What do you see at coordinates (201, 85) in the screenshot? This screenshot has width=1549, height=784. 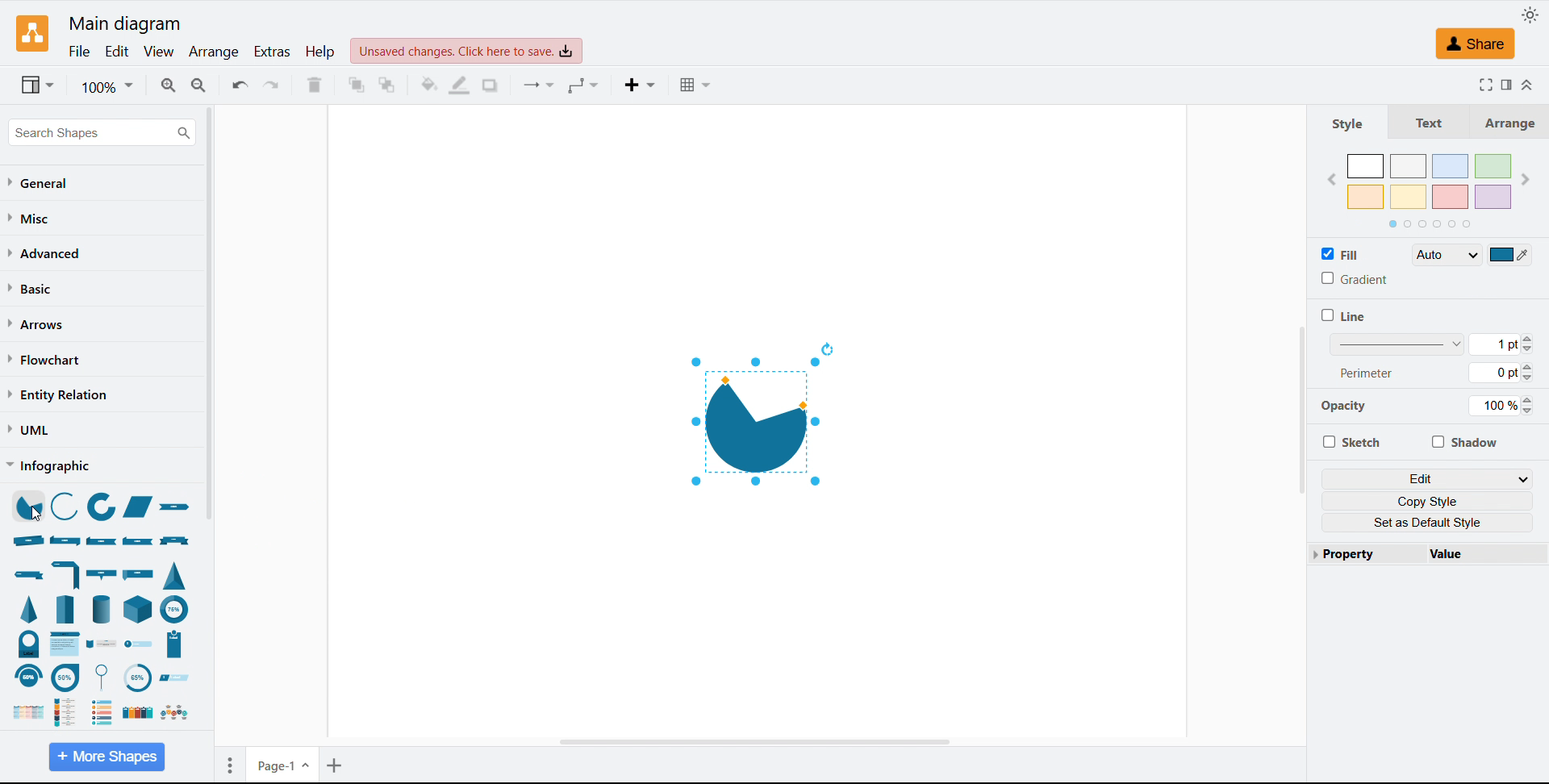 I see `Zoom out ` at bounding box center [201, 85].